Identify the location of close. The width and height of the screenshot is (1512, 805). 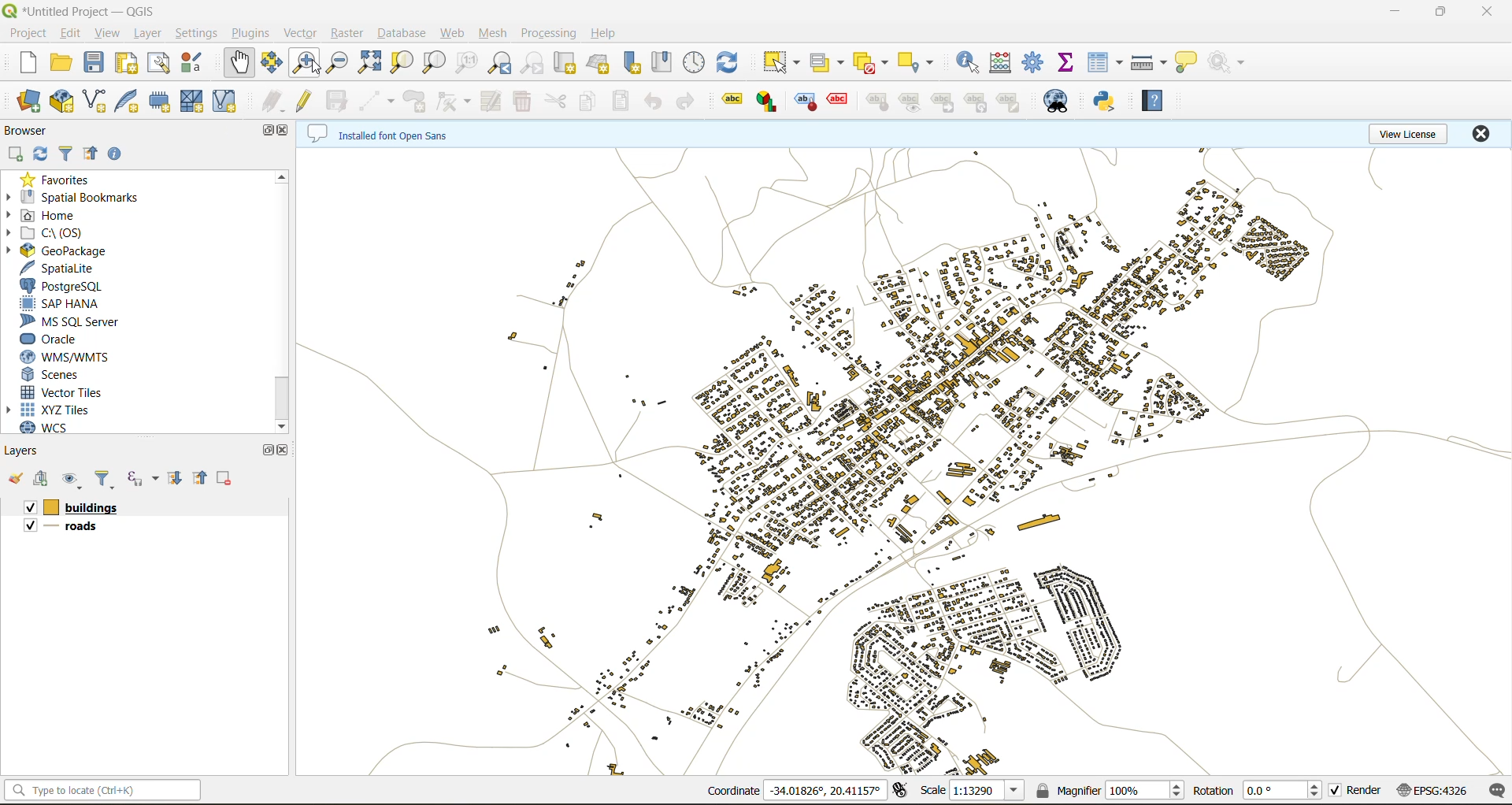
(287, 451).